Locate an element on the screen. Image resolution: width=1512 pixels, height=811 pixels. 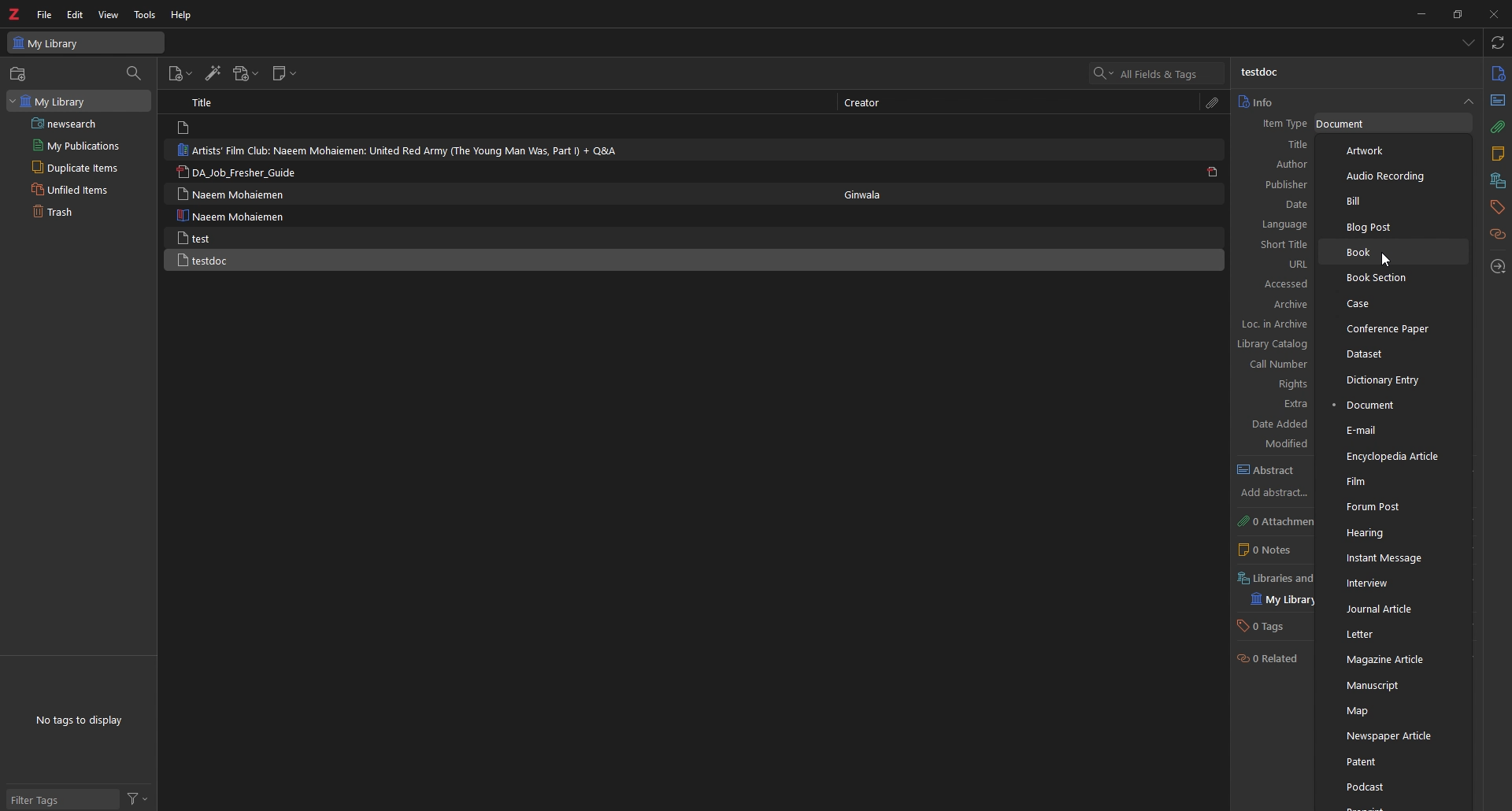
info is located at coordinates (1498, 73).